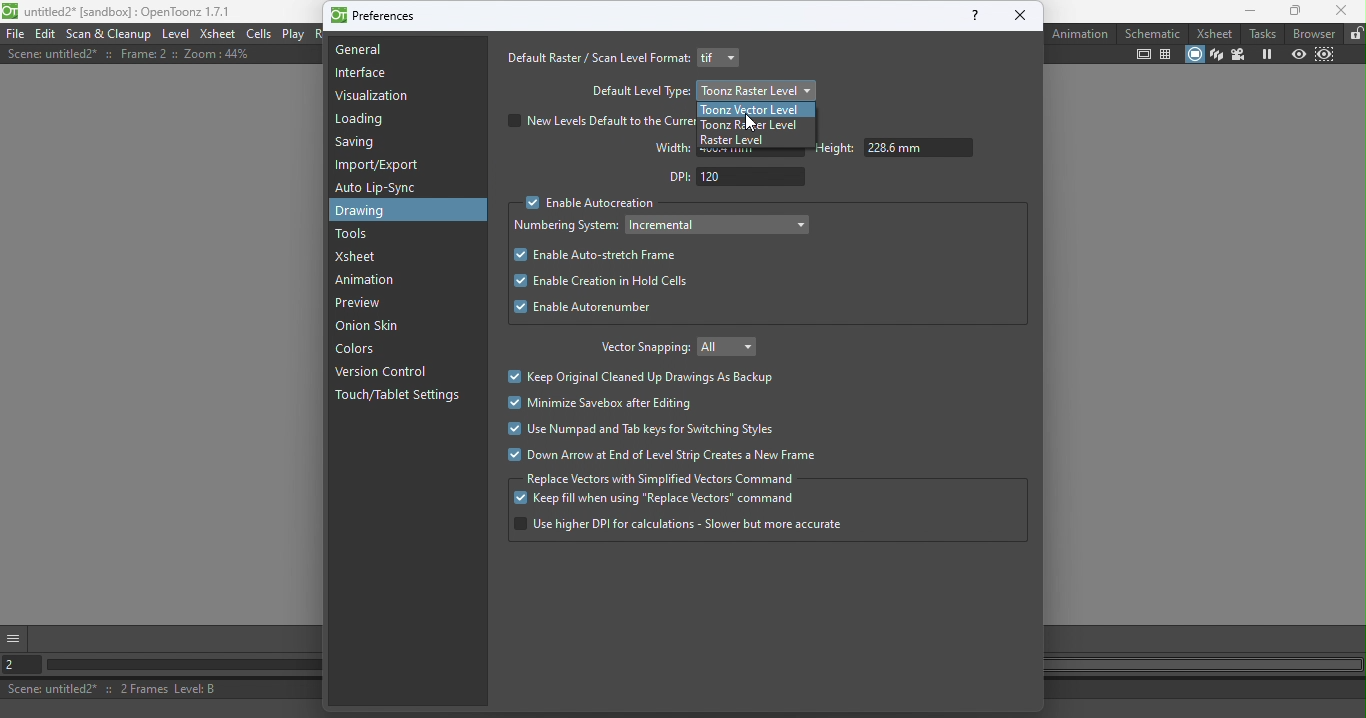  Describe the element at coordinates (973, 15) in the screenshot. I see `help` at that location.